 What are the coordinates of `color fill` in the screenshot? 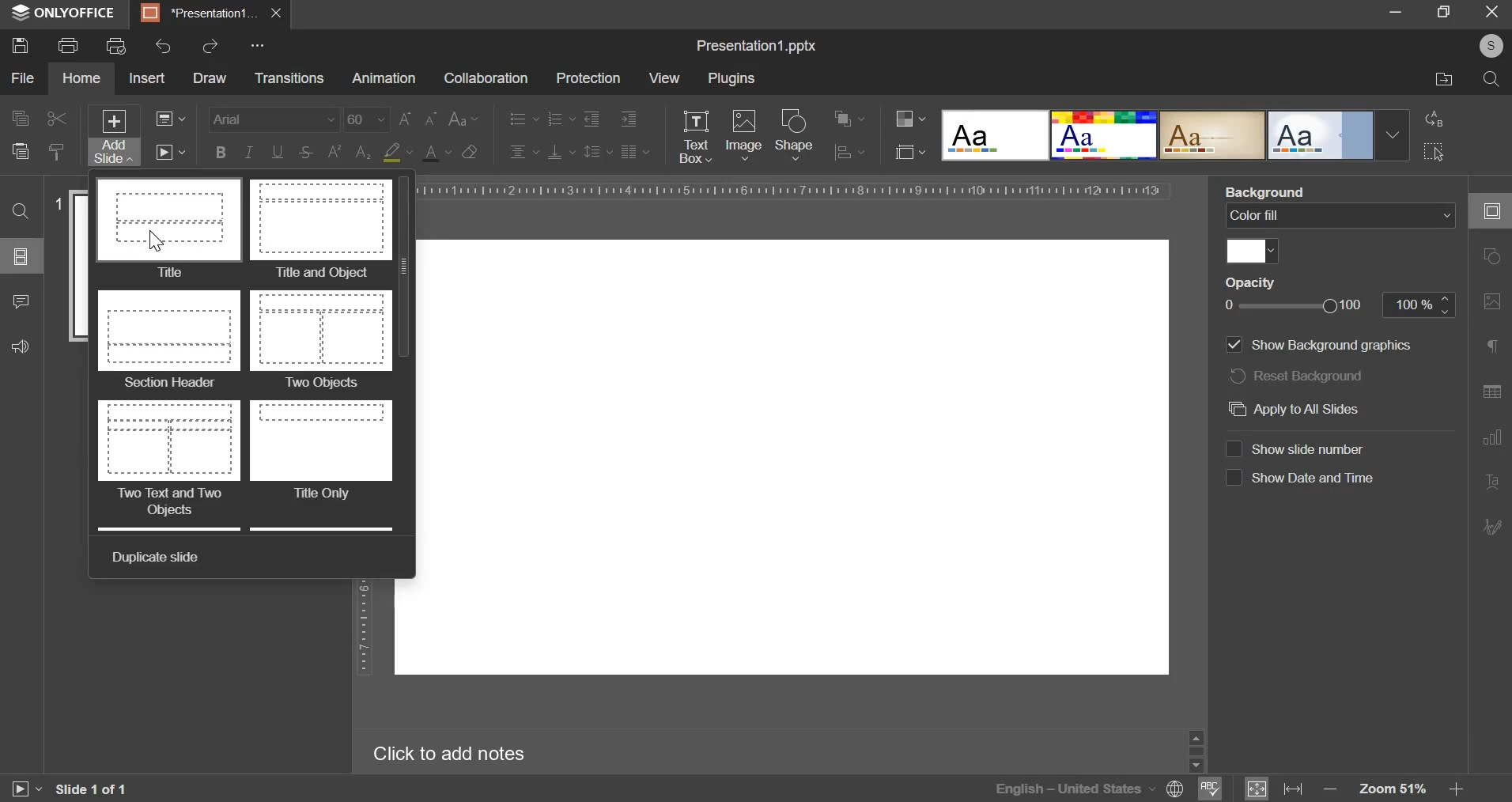 It's located at (1251, 249).